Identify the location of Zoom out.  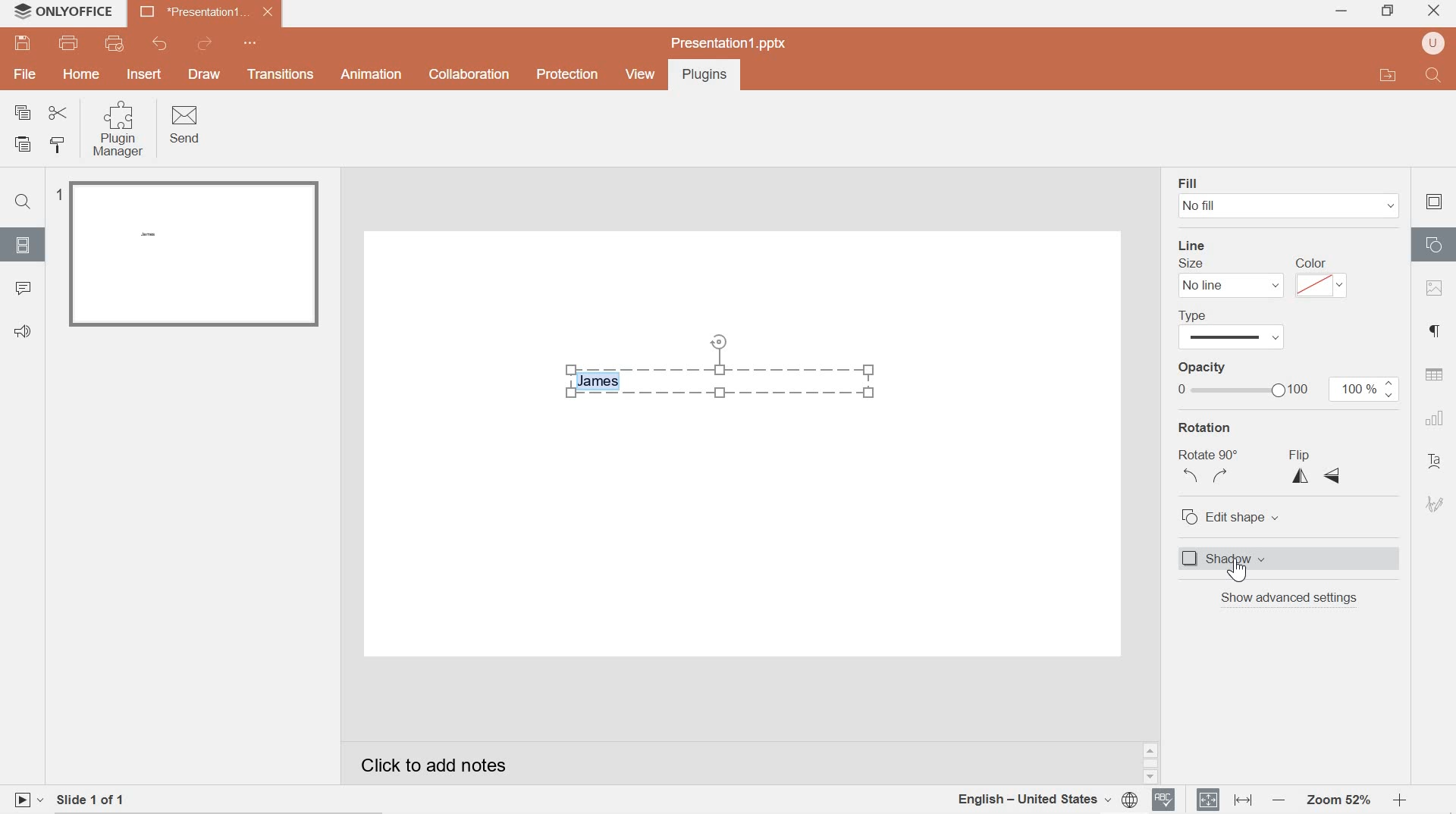
(1278, 800).